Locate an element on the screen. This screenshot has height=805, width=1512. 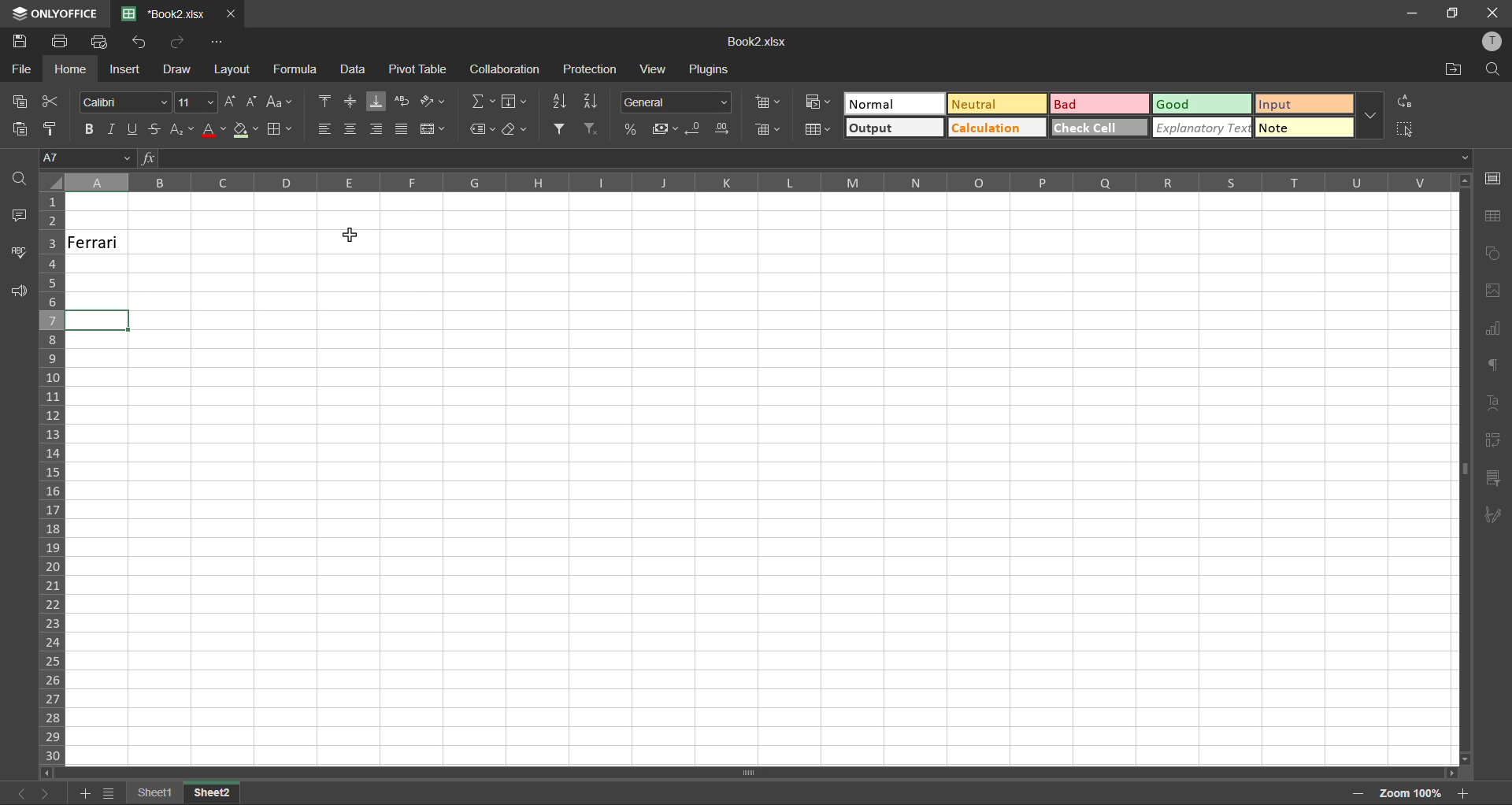
justified is located at coordinates (405, 130).